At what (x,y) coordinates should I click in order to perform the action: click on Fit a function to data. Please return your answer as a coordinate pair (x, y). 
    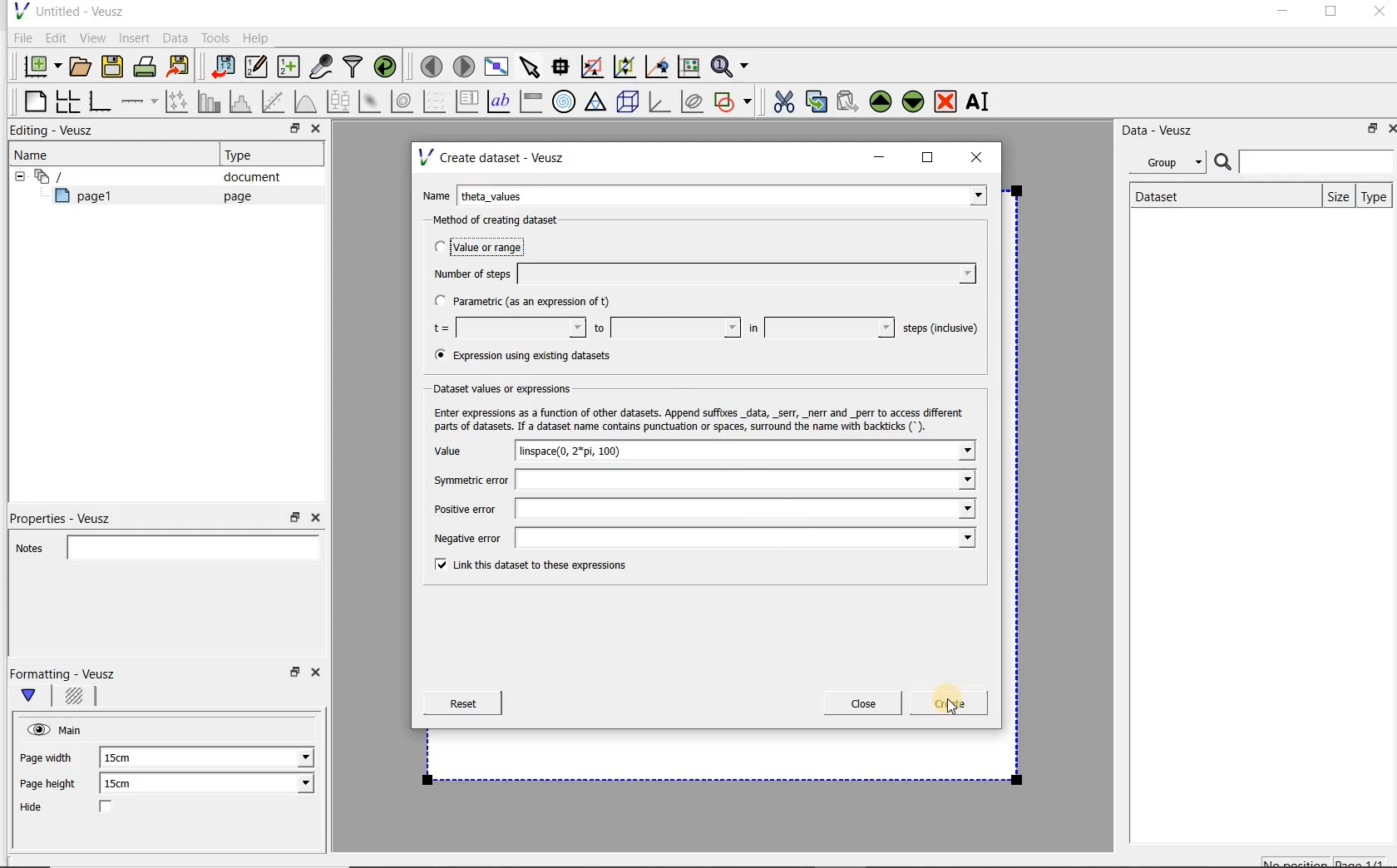
    Looking at the image, I should click on (275, 101).